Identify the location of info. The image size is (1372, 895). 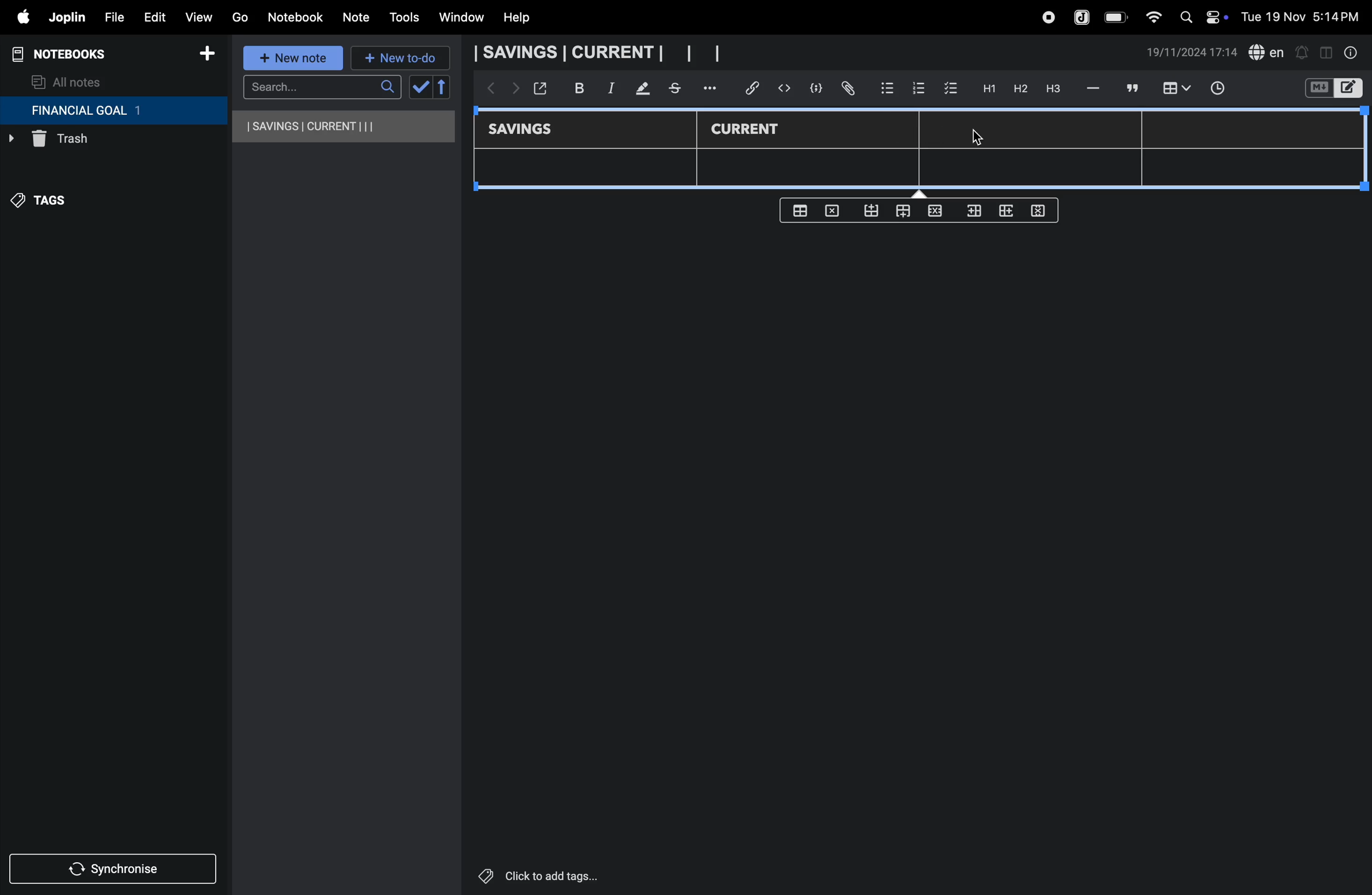
(1352, 52).